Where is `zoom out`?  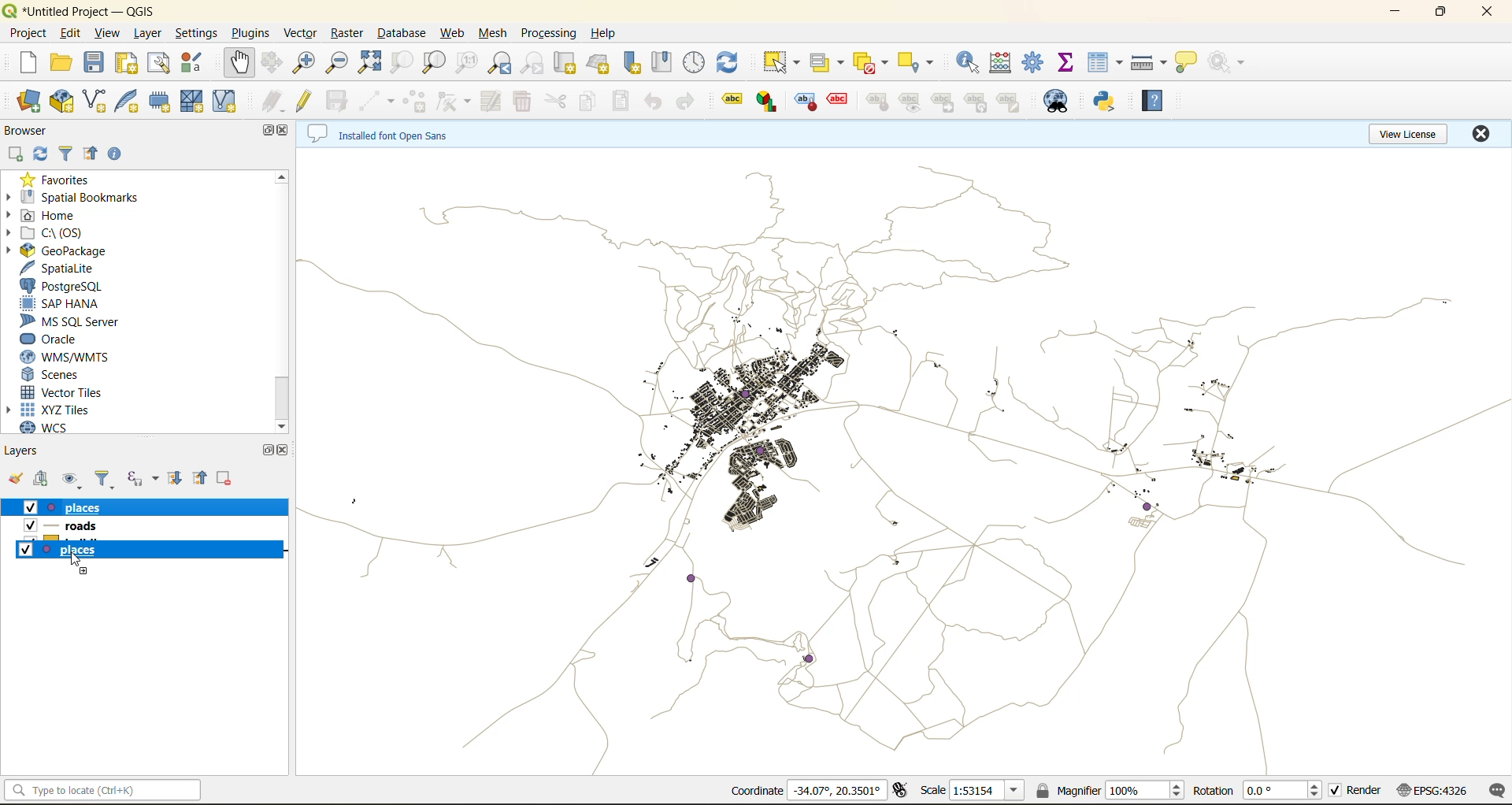
zoom out is located at coordinates (336, 65).